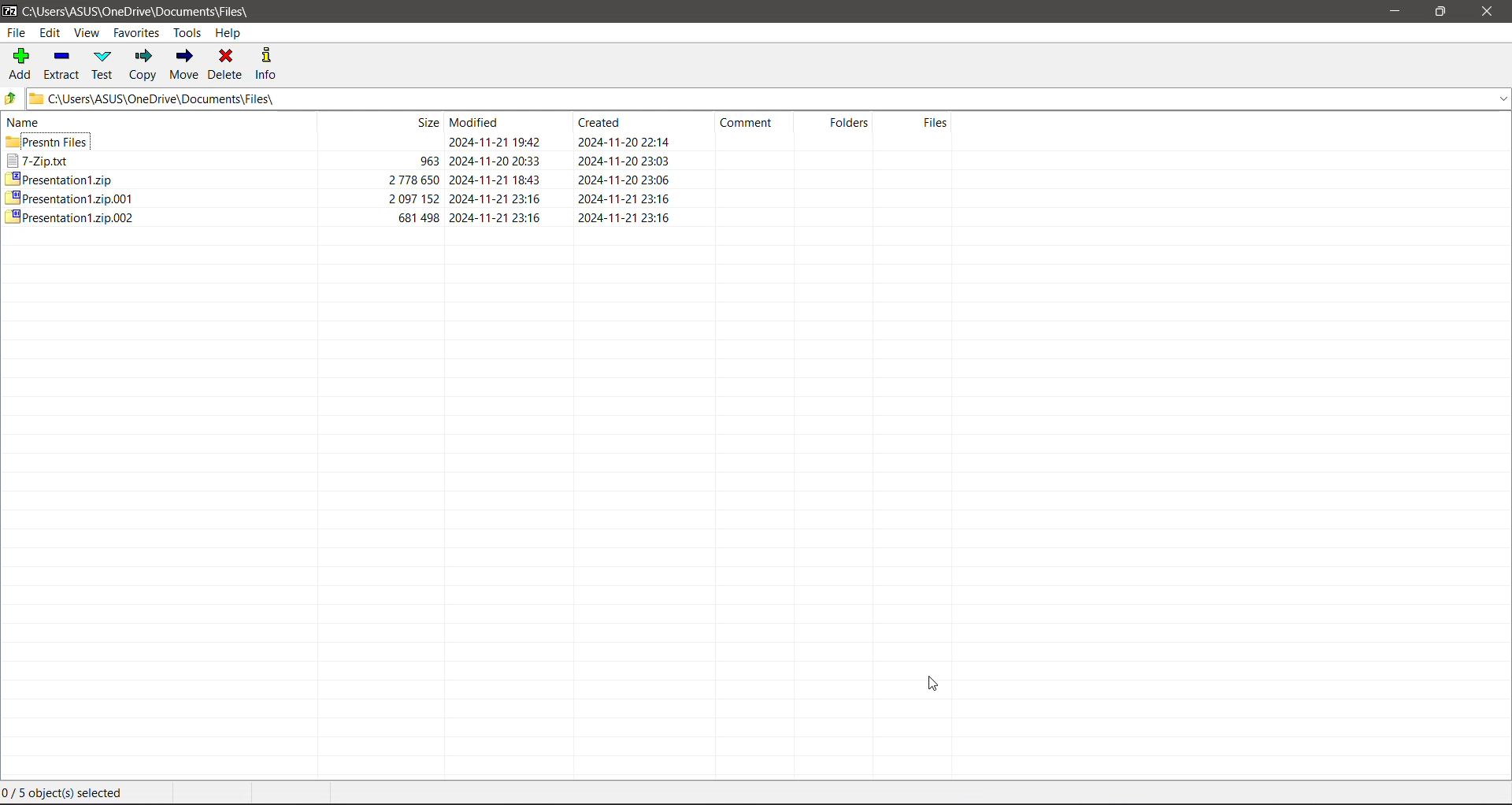  Describe the element at coordinates (91, 34) in the screenshot. I see `View` at that location.